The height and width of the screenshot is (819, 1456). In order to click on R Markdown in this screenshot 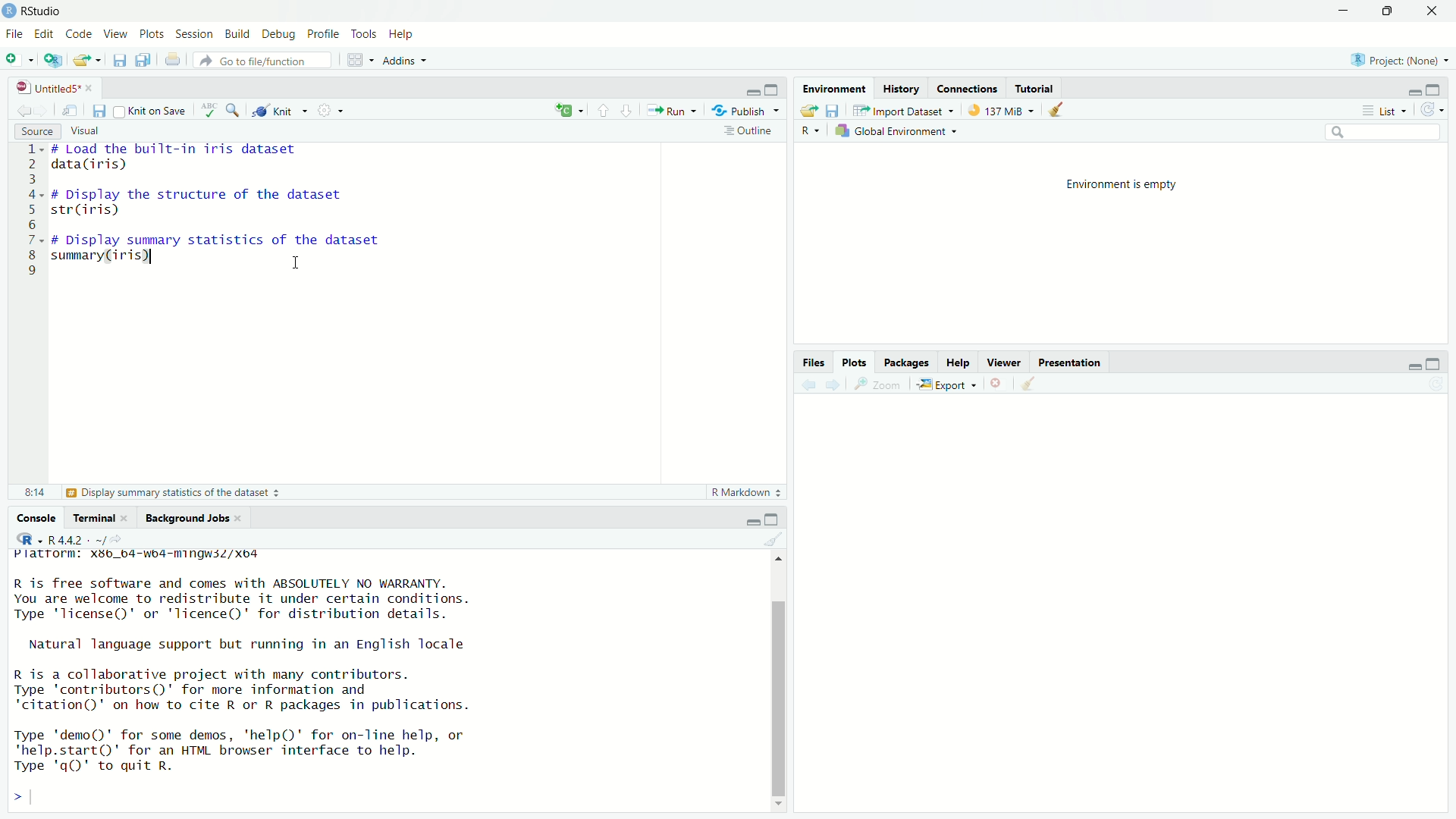, I will do `click(746, 491)`.